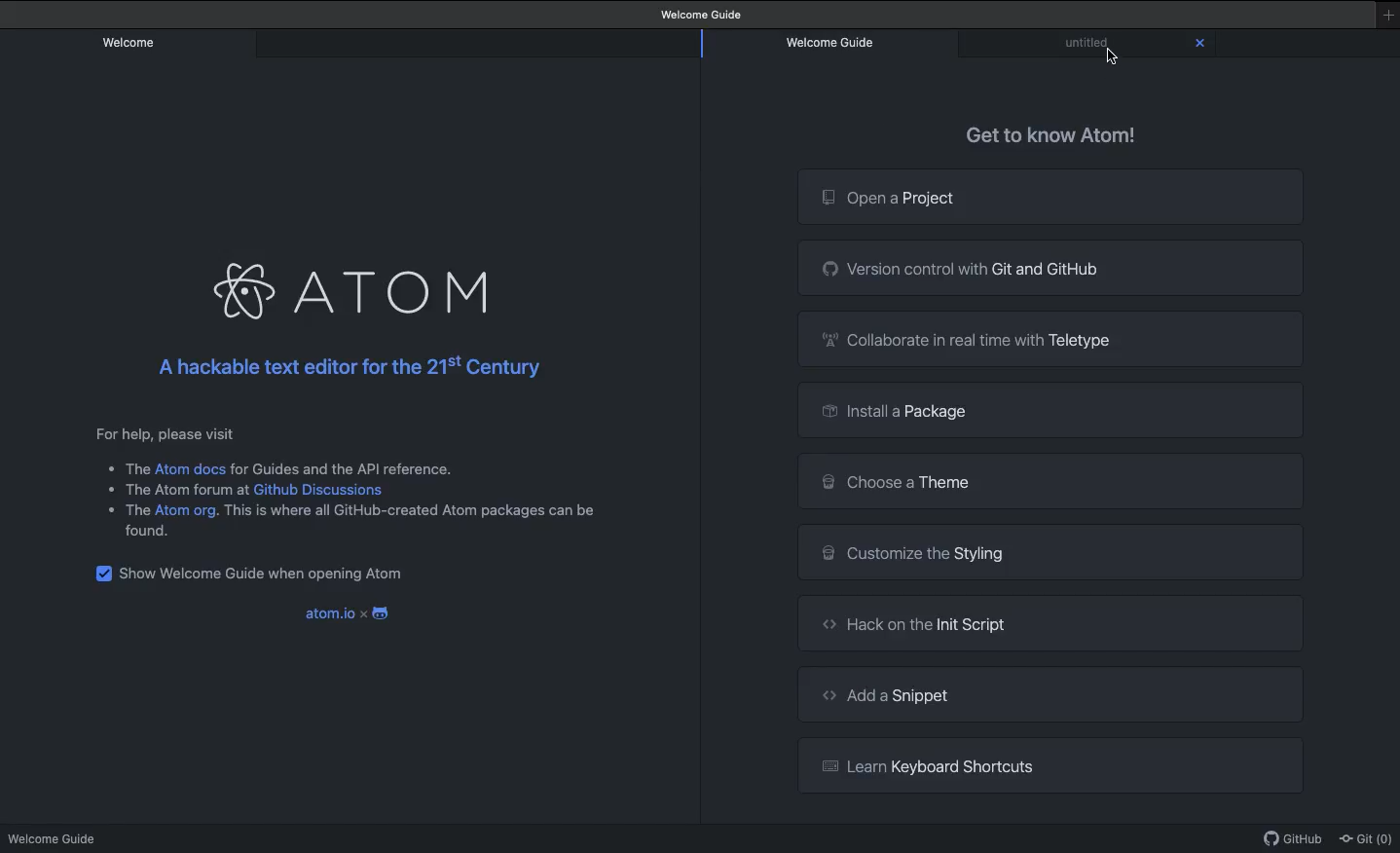 Image resolution: width=1400 pixels, height=853 pixels. I want to click on Git, so click(1368, 839).